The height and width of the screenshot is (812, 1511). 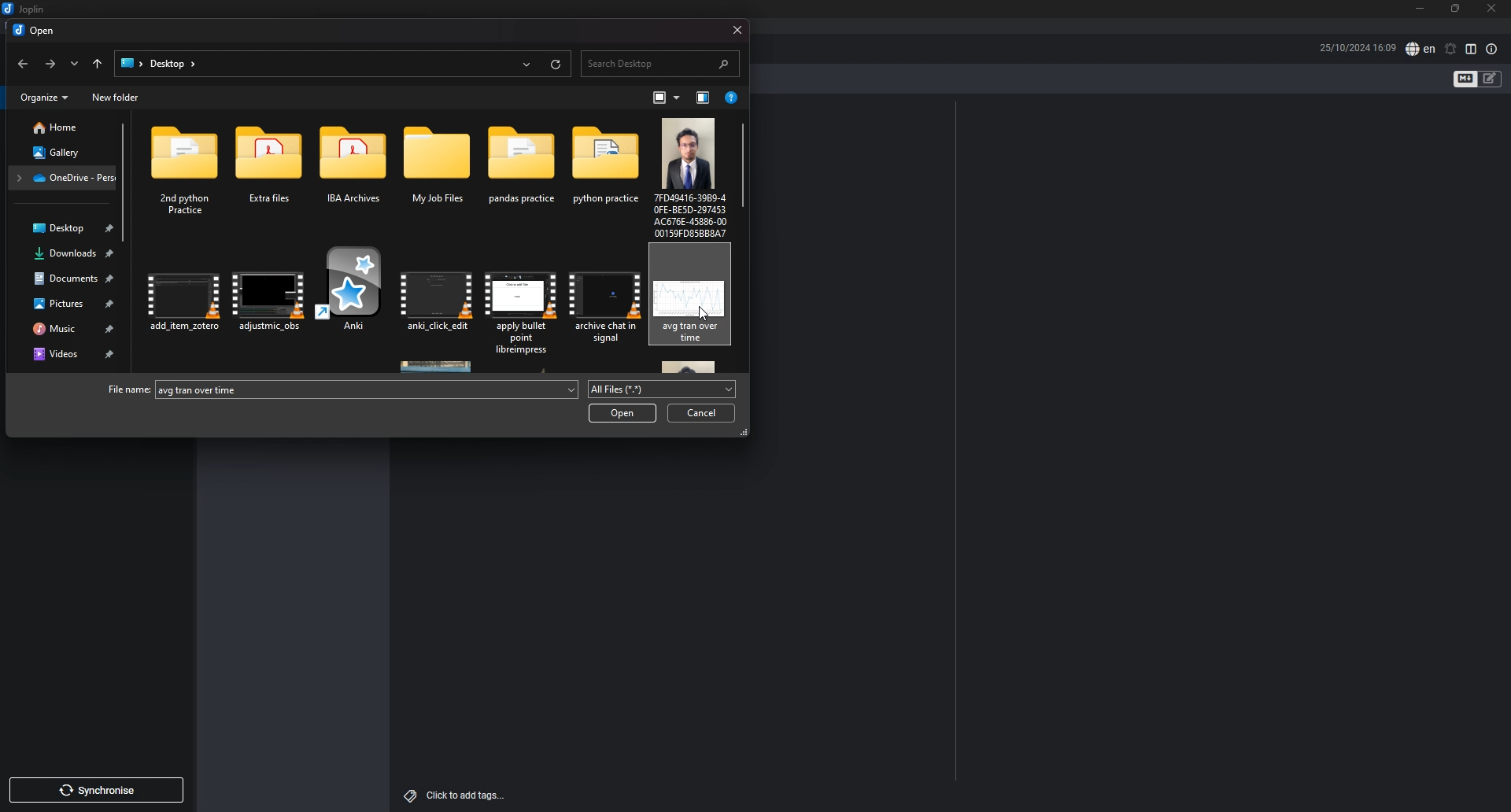 What do you see at coordinates (602, 172) in the screenshot?
I see `Python practice` at bounding box center [602, 172].